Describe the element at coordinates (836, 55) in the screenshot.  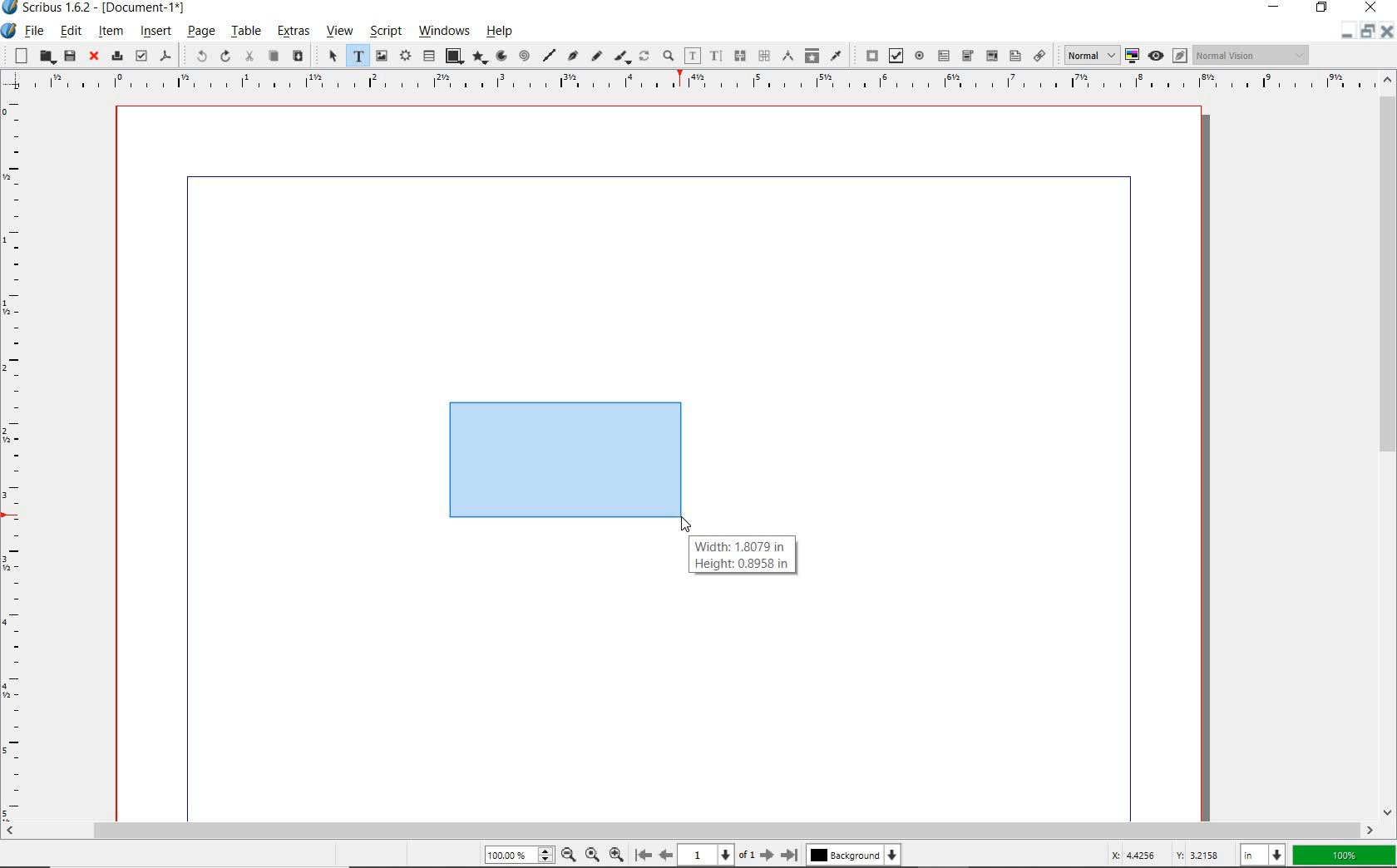
I see `eye dropper` at that location.